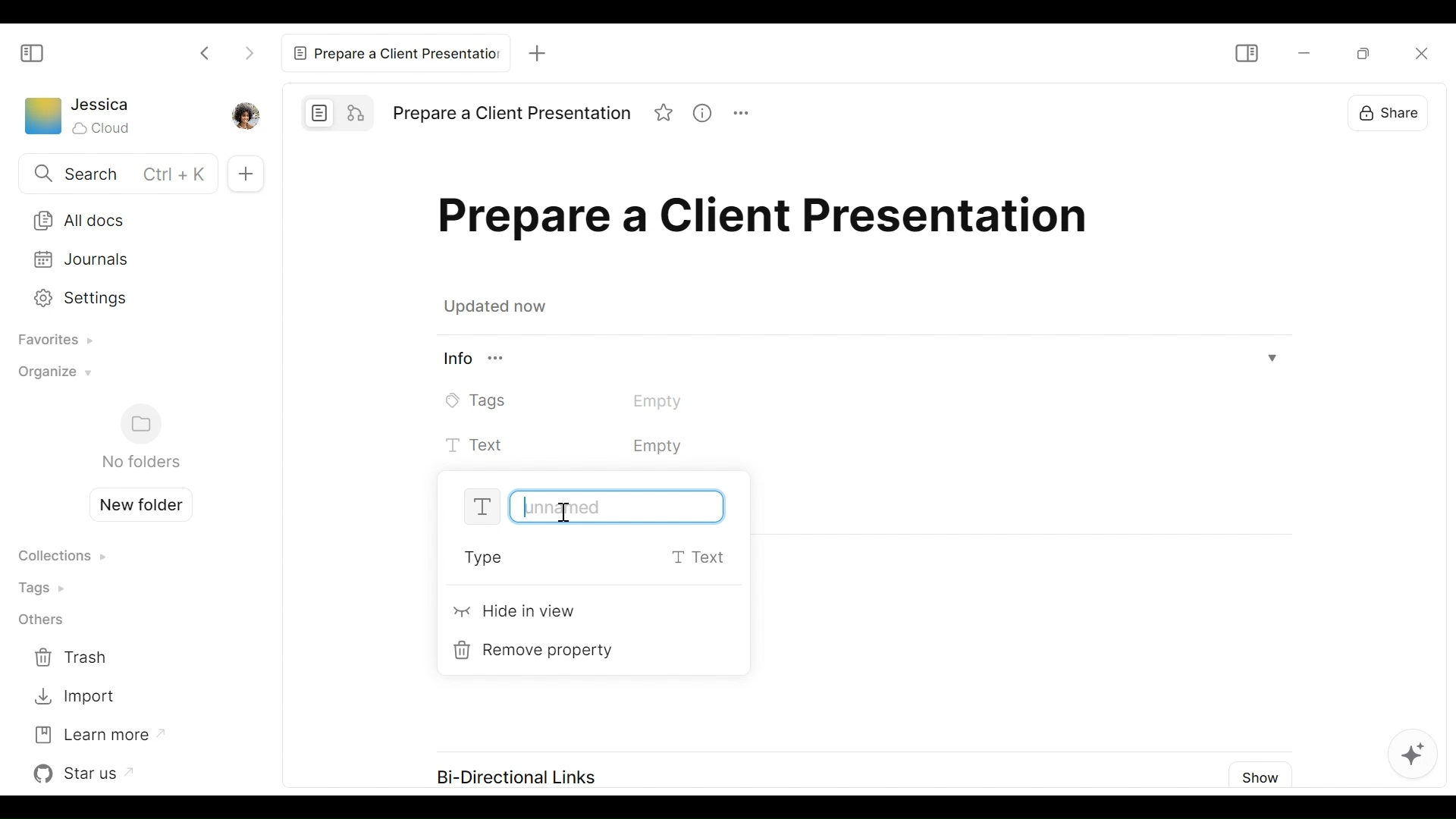 The image size is (1456, 819). What do you see at coordinates (1245, 53) in the screenshot?
I see `Show/Hide Sidebar` at bounding box center [1245, 53].